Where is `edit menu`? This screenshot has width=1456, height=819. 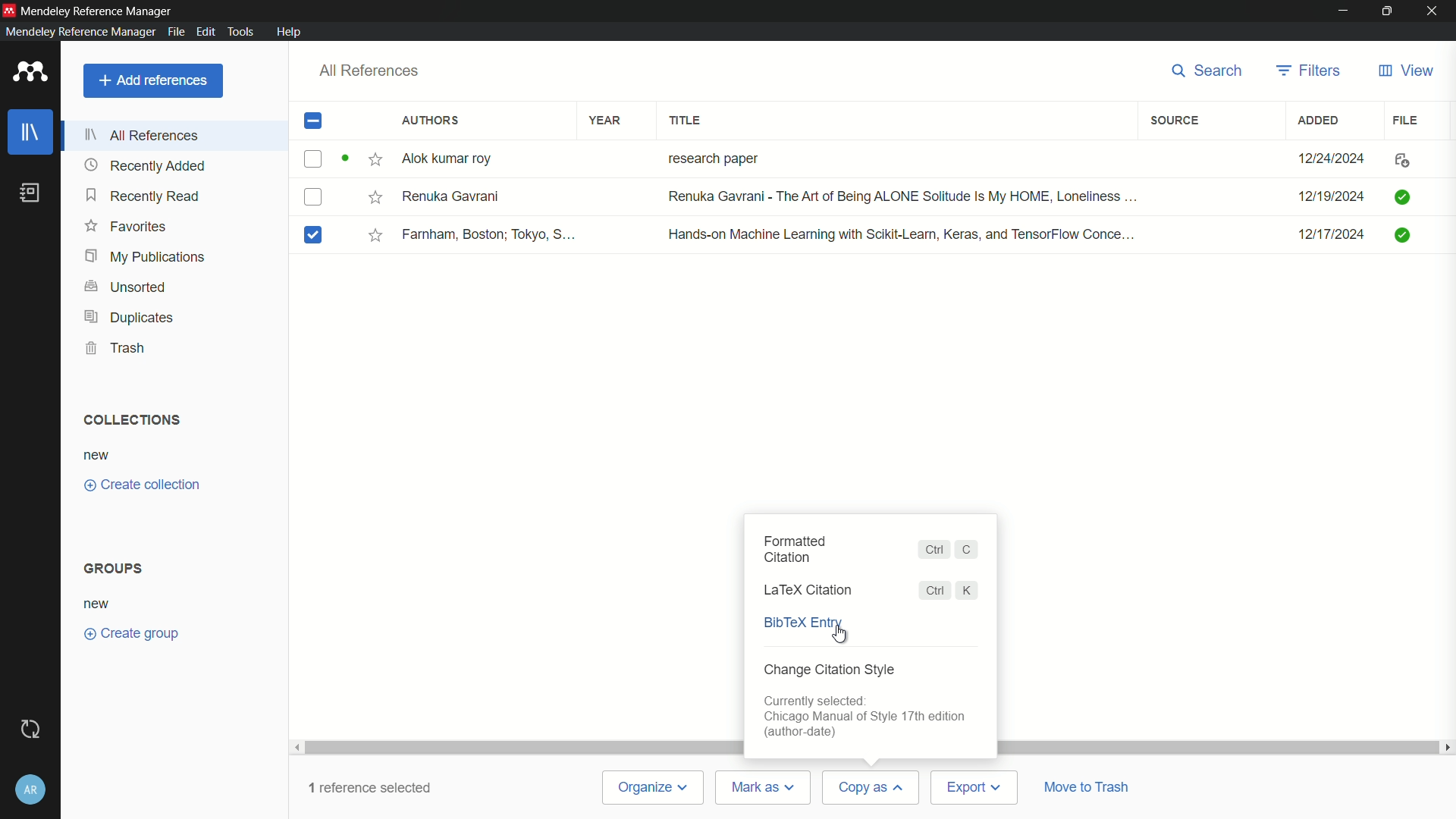 edit menu is located at coordinates (205, 31).